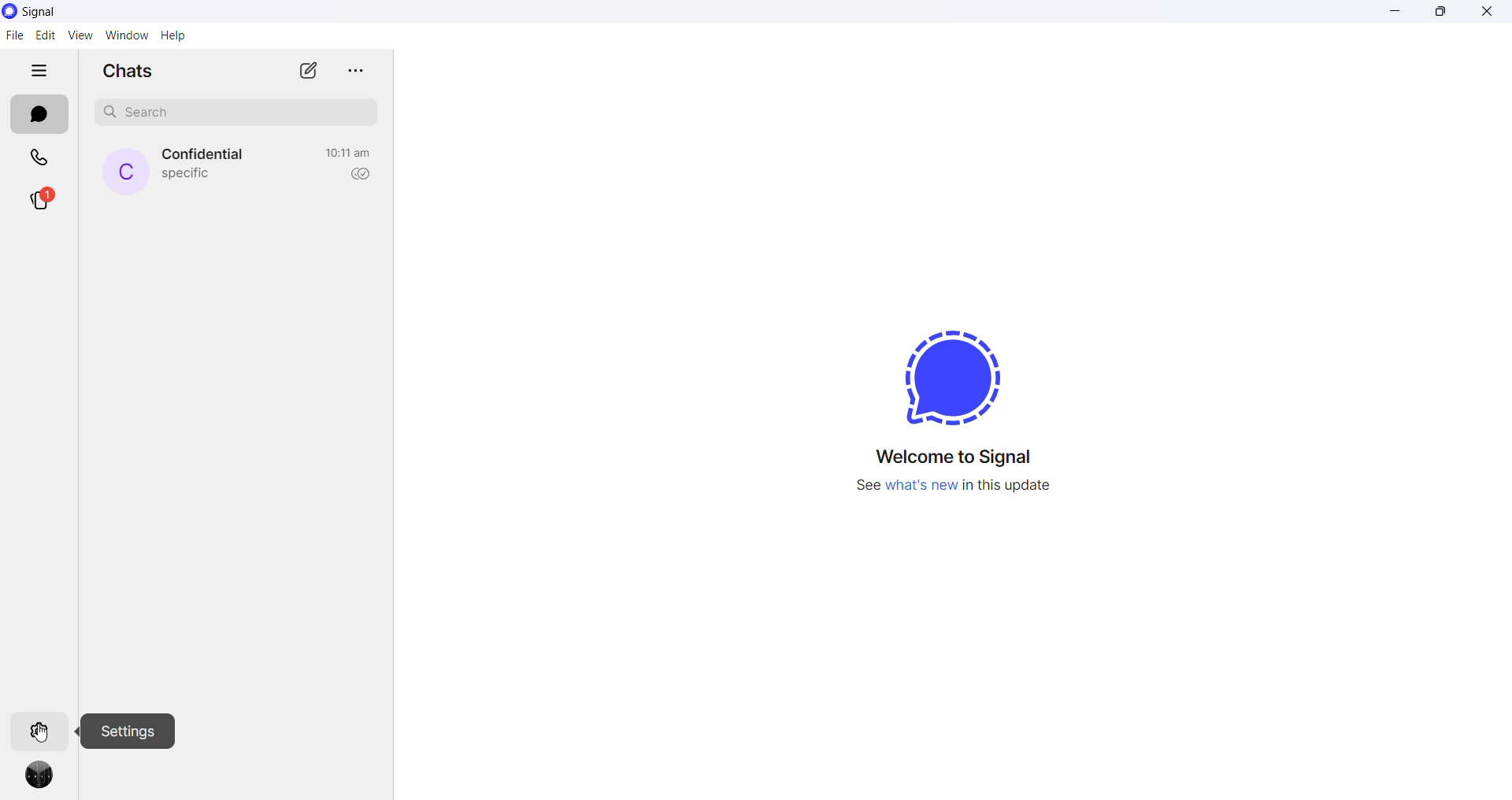 This screenshot has height=800, width=1512. Describe the element at coordinates (357, 175) in the screenshot. I see `read recipient` at that location.